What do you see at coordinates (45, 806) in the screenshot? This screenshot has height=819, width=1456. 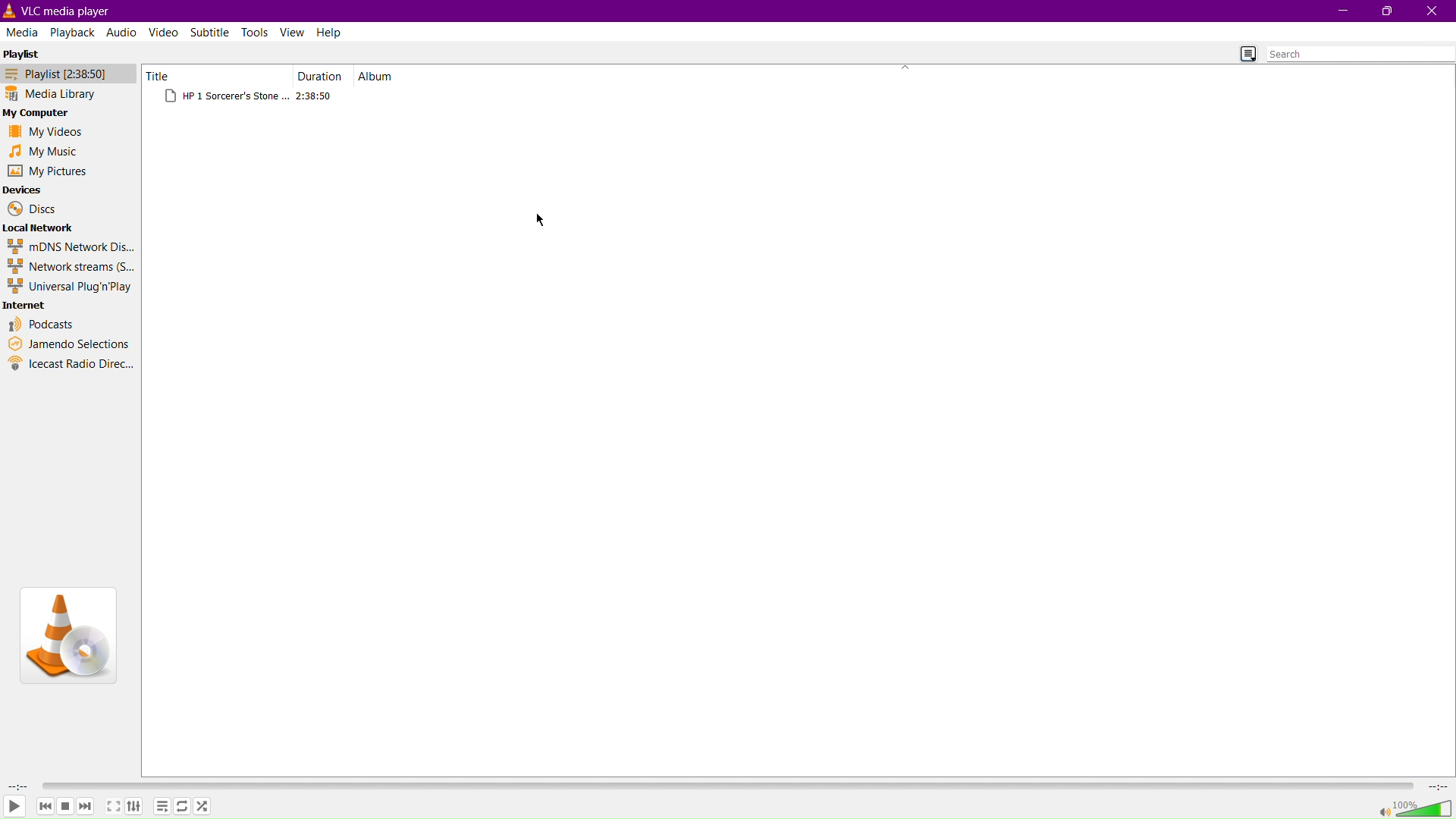 I see `Skip back` at bounding box center [45, 806].